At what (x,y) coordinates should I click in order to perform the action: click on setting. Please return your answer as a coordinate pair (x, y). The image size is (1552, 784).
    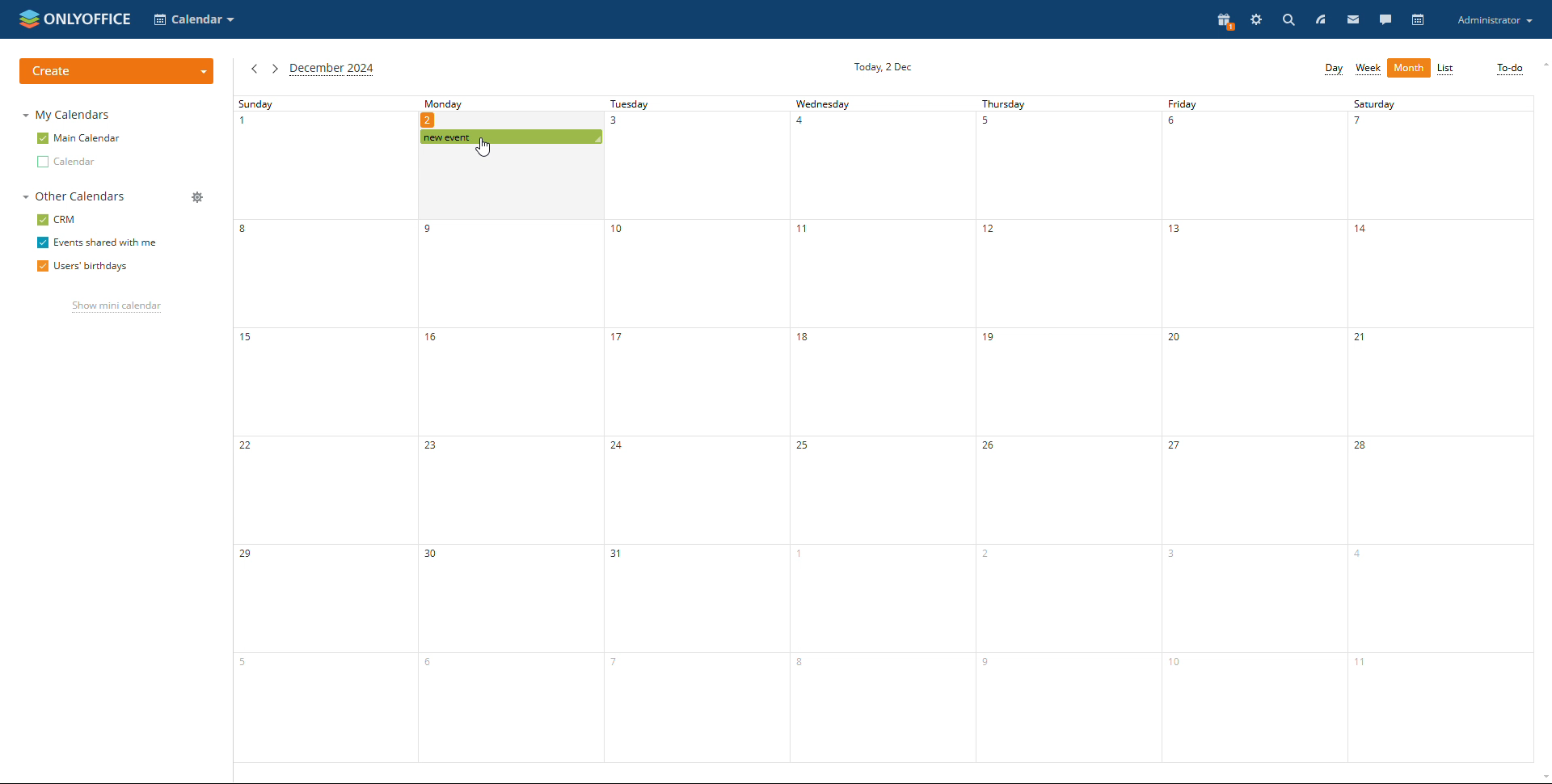
    Looking at the image, I should click on (1256, 20).